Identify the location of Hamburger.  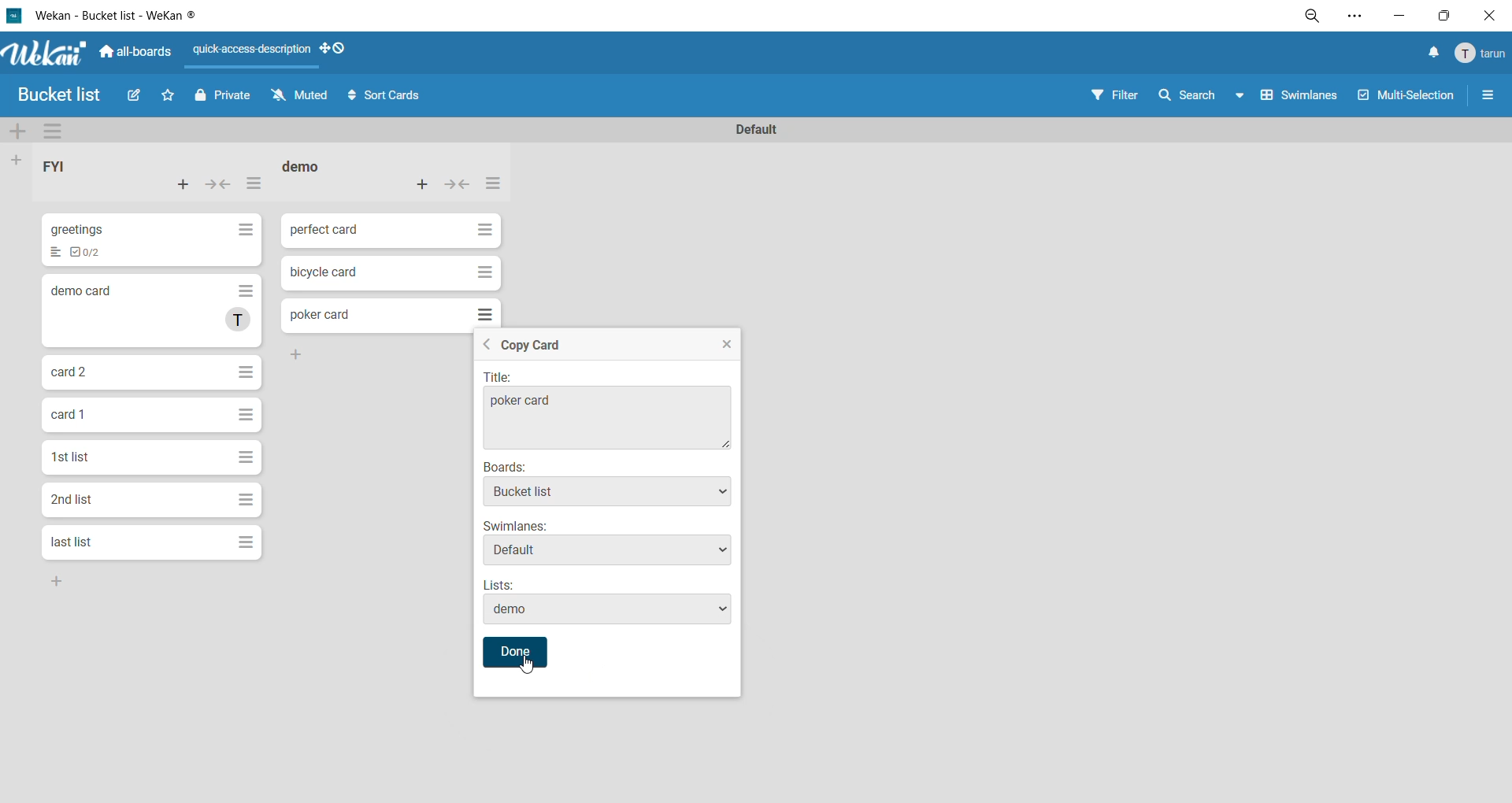
(480, 230).